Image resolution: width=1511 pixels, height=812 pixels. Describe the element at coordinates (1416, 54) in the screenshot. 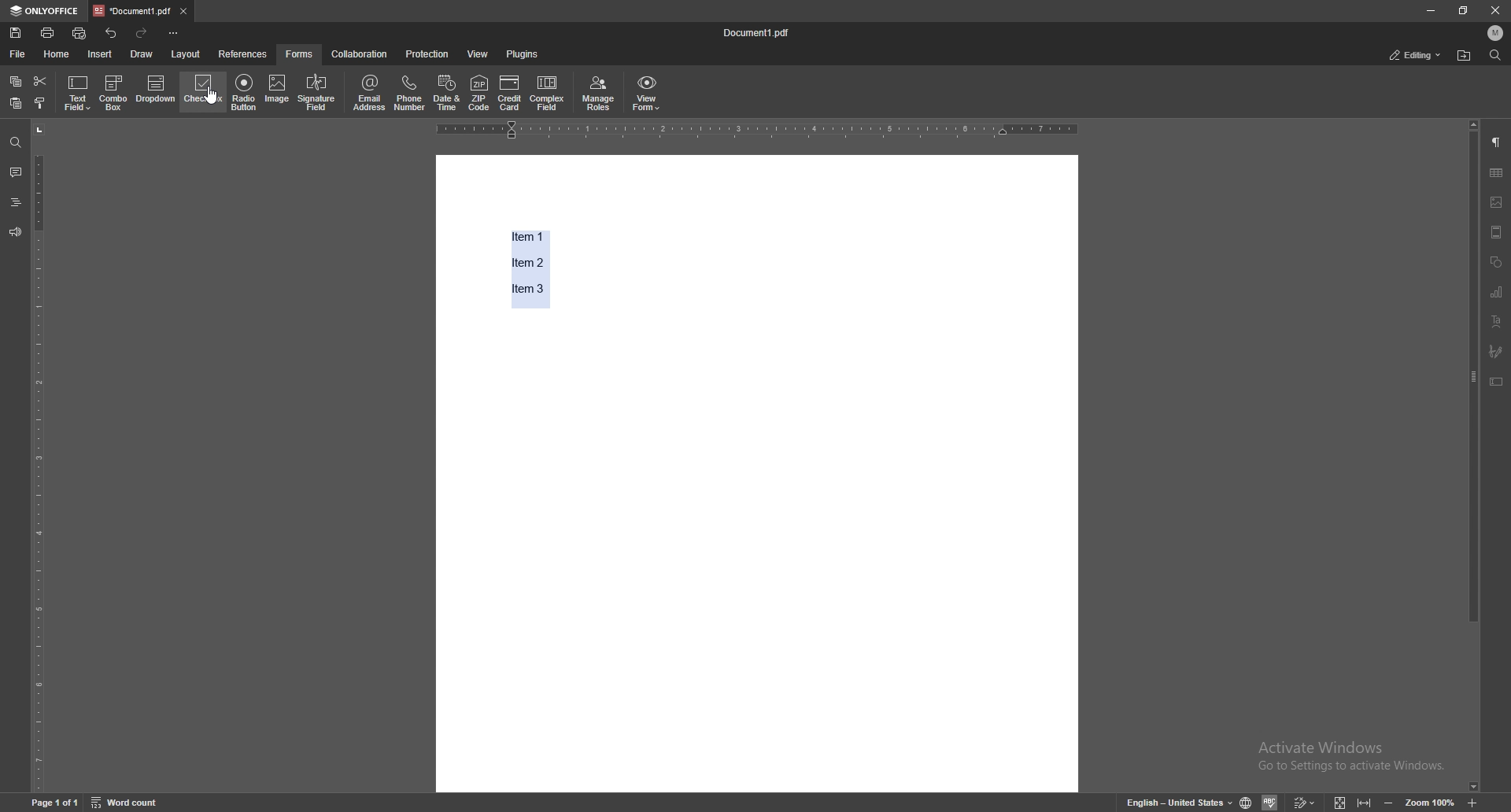

I see `status` at that location.